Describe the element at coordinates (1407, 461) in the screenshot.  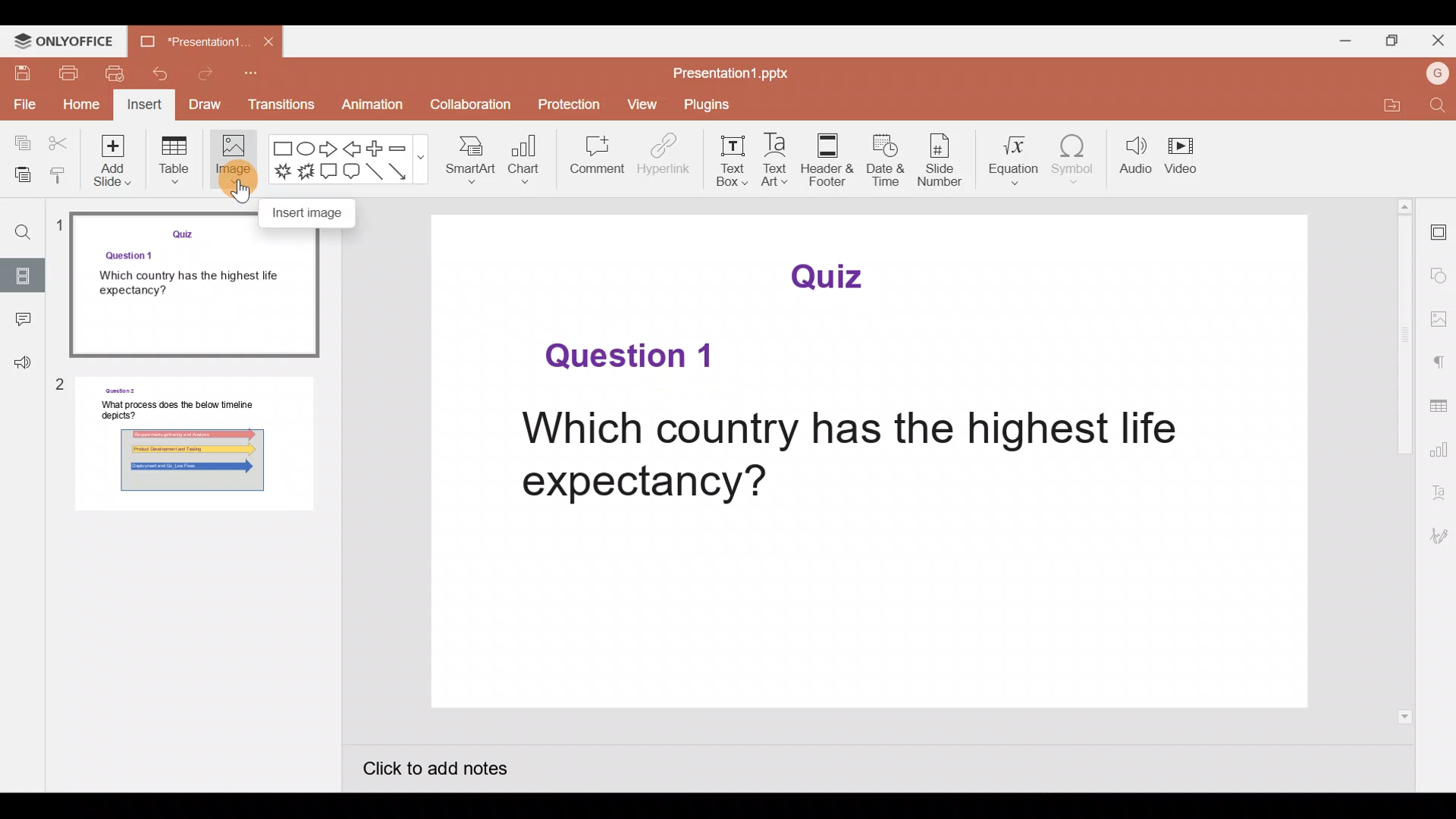
I see `Scroll bar` at that location.